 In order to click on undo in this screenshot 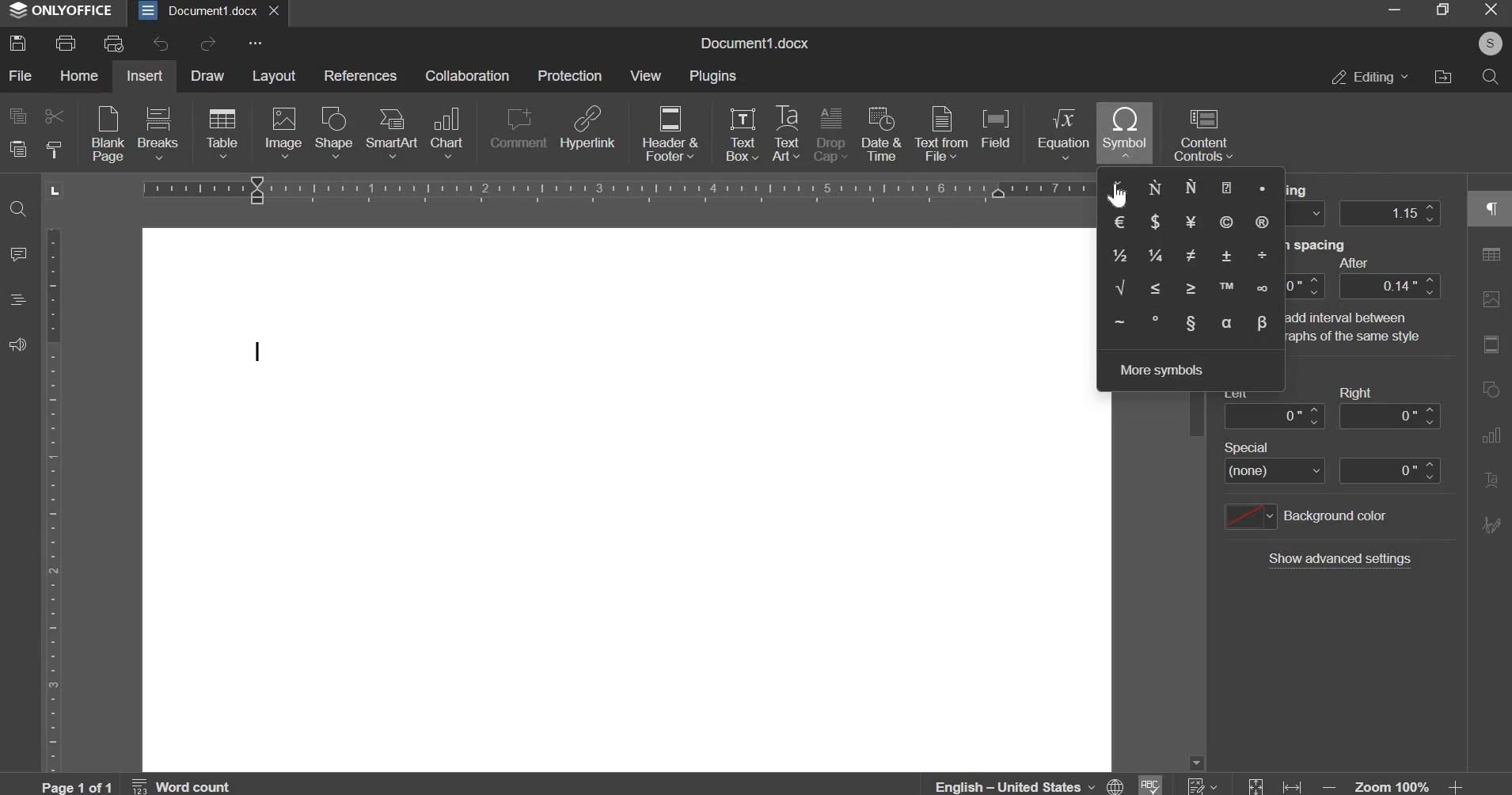, I will do `click(160, 44)`.